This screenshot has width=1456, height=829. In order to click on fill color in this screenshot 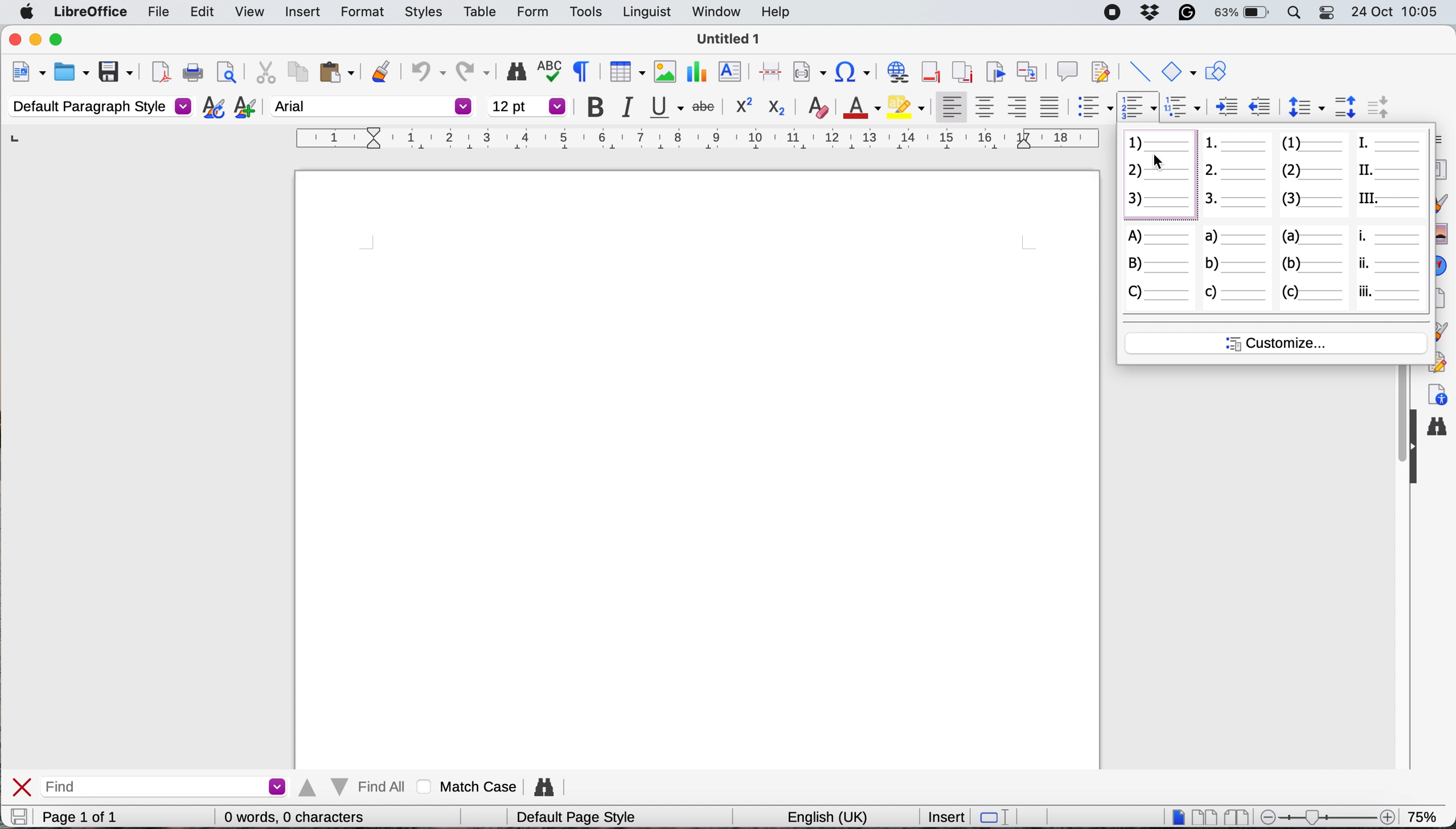, I will do `click(906, 106)`.